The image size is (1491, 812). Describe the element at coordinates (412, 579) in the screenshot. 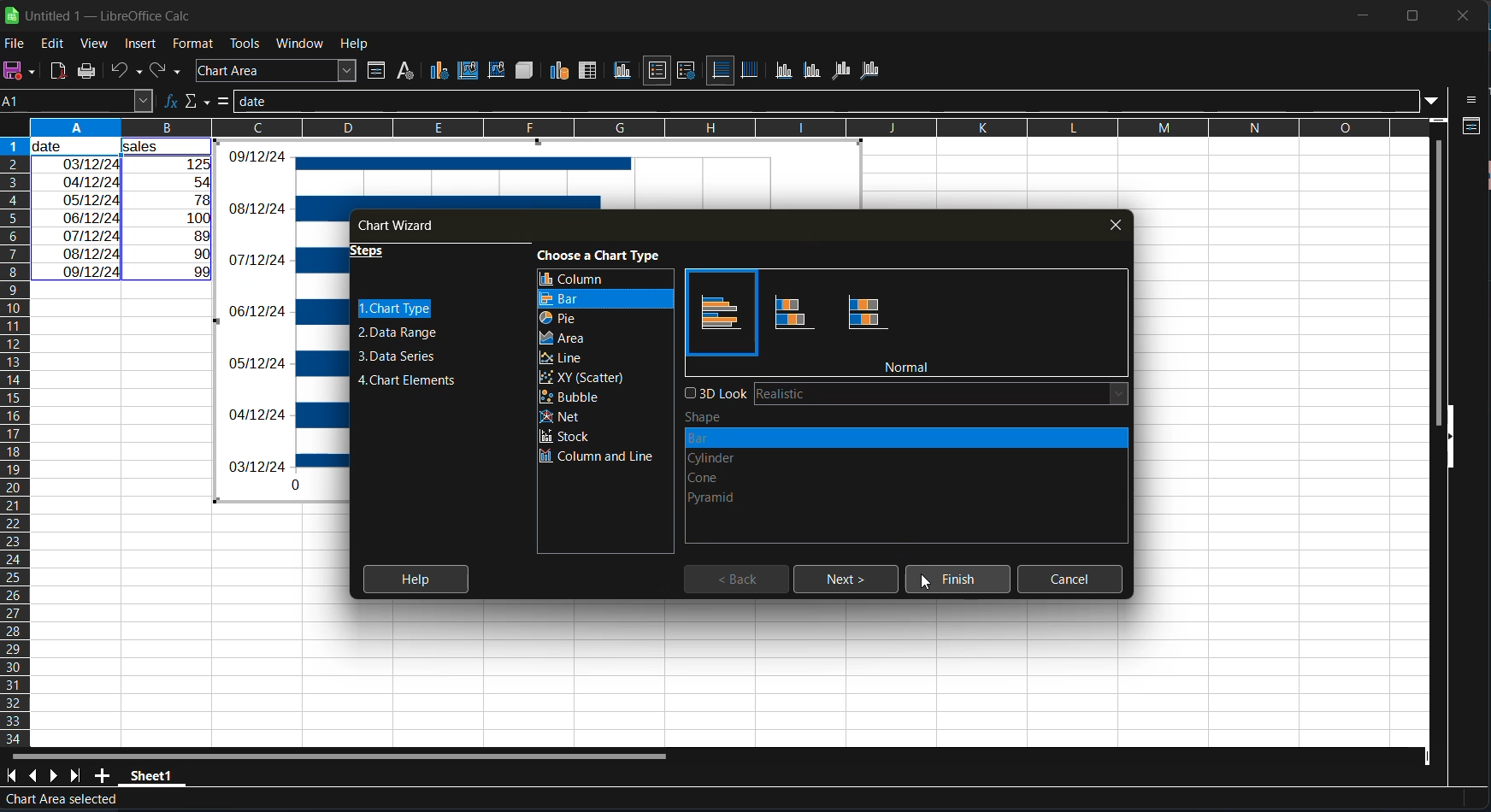

I see `help` at that location.